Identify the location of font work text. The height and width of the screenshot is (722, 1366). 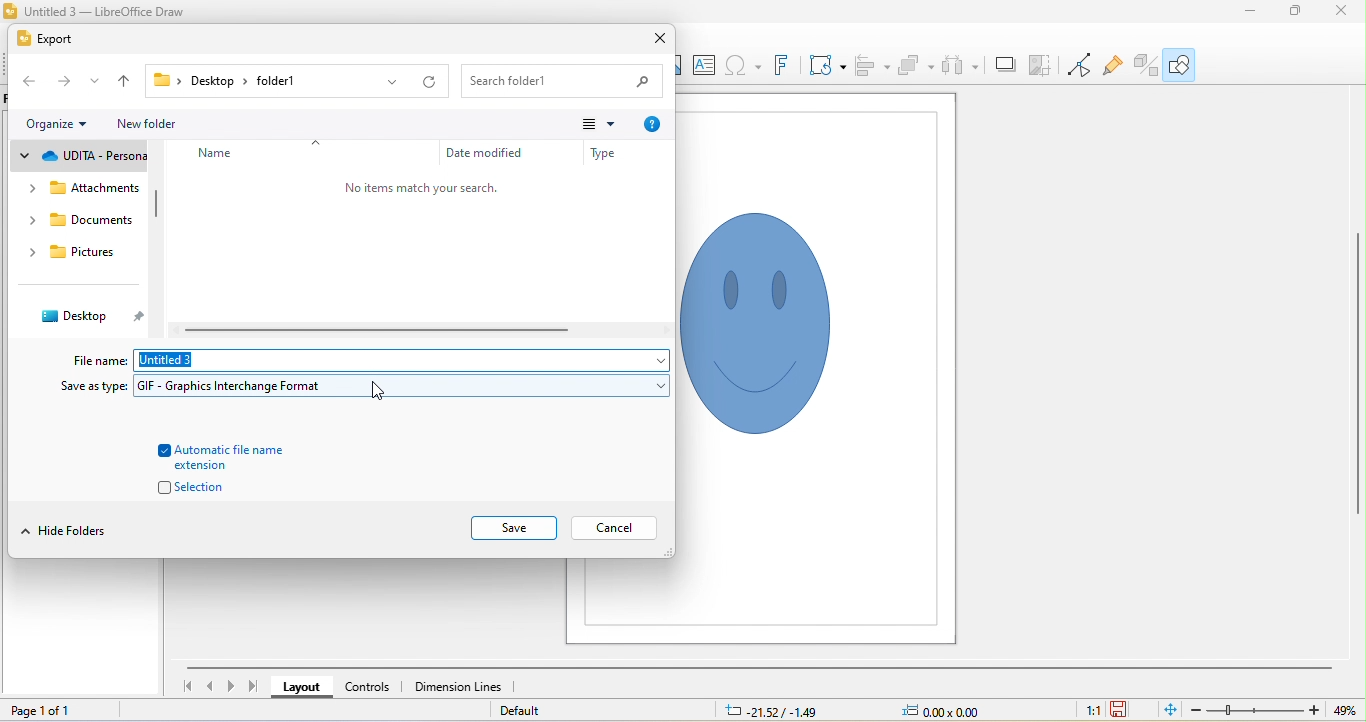
(781, 67).